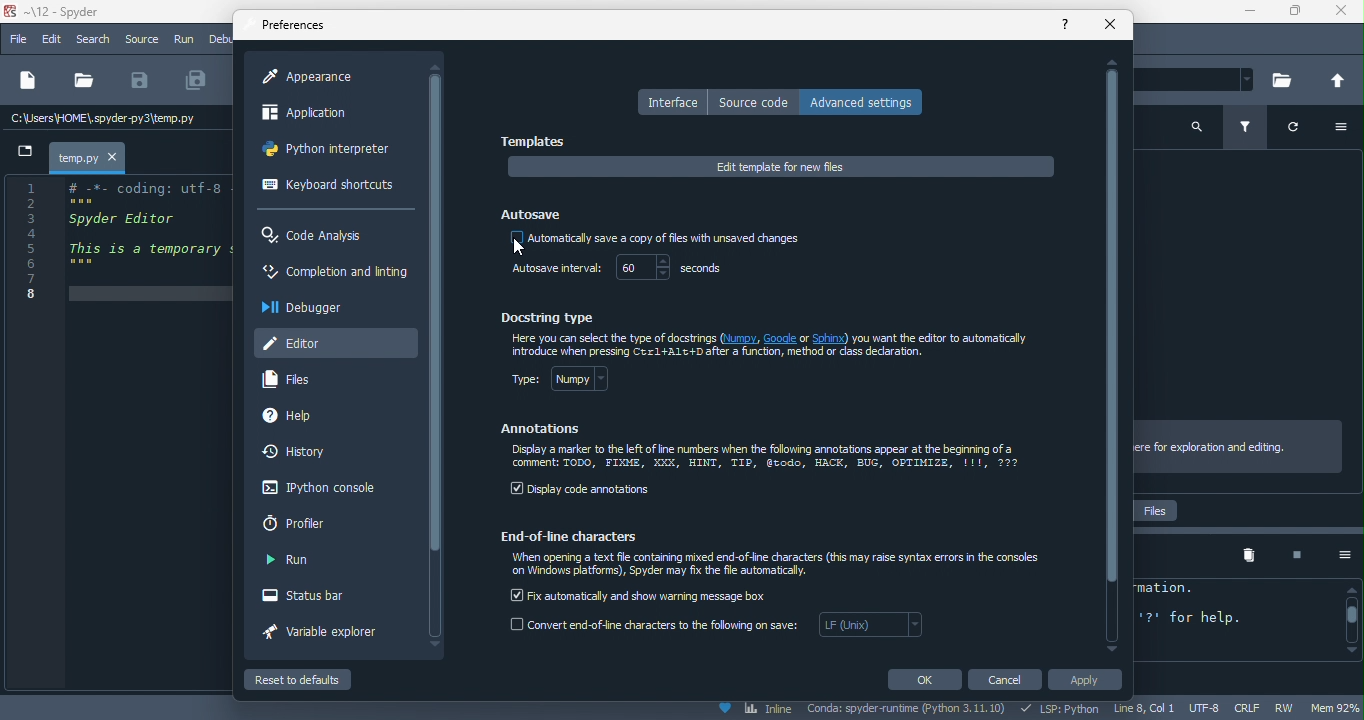 The width and height of the screenshot is (1364, 720). What do you see at coordinates (1249, 129) in the screenshot?
I see `filter` at bounding box center [1249, 129].